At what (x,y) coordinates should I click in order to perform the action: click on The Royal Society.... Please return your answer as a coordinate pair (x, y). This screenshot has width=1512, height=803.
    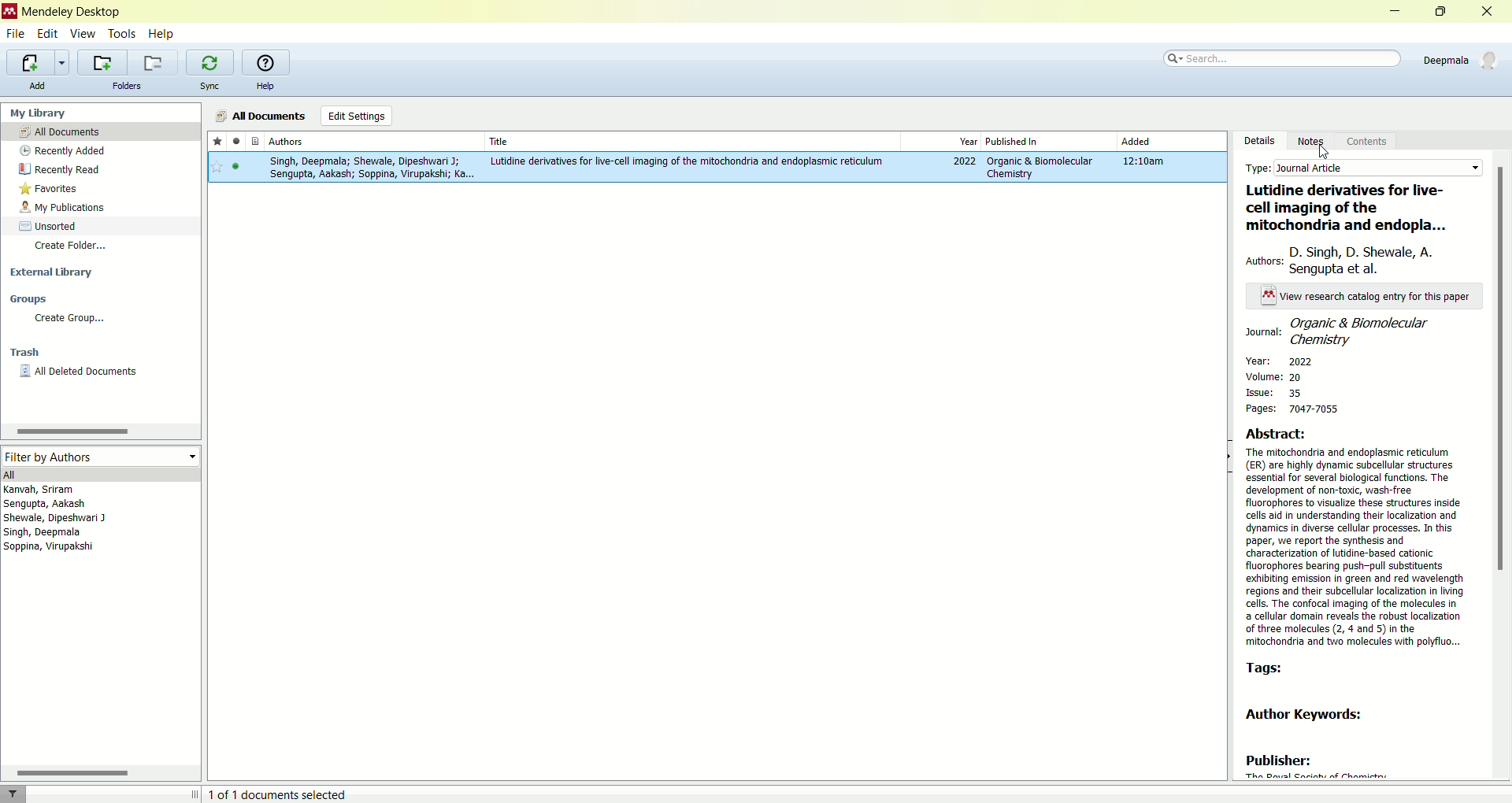
    Looking at the image, I should click on (1315, 775).